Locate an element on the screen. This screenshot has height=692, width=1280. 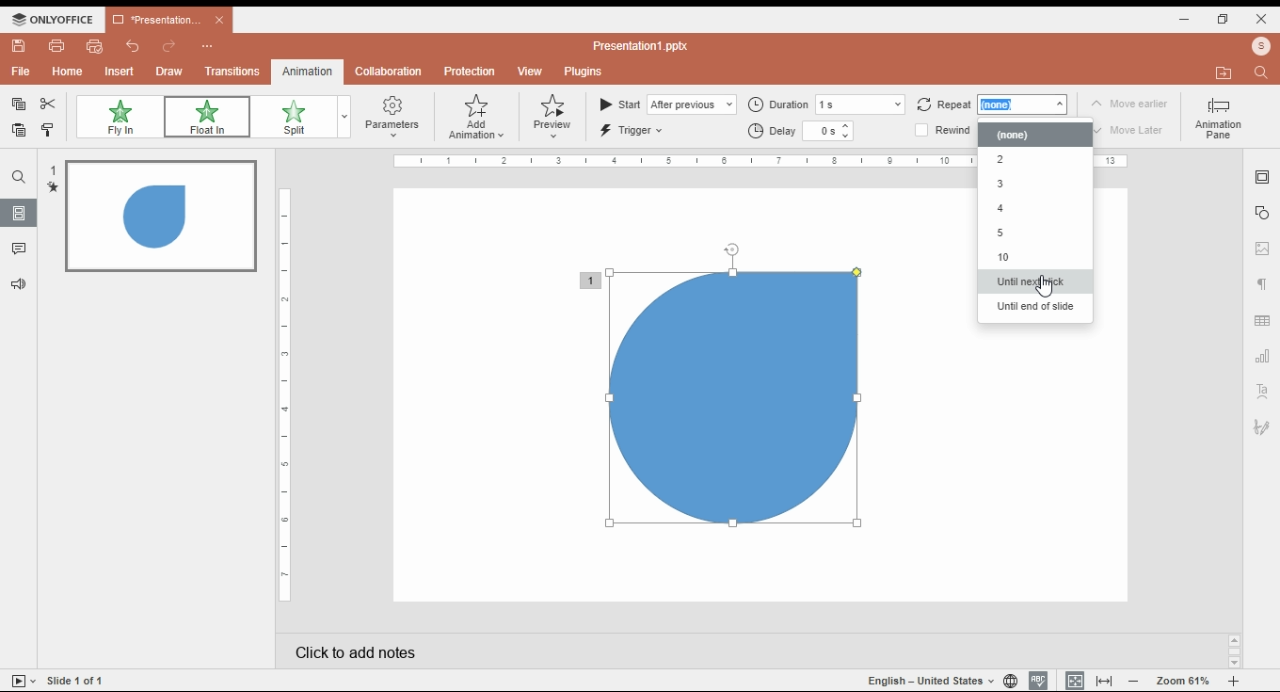
presentation is located at coordinates (167, 20).